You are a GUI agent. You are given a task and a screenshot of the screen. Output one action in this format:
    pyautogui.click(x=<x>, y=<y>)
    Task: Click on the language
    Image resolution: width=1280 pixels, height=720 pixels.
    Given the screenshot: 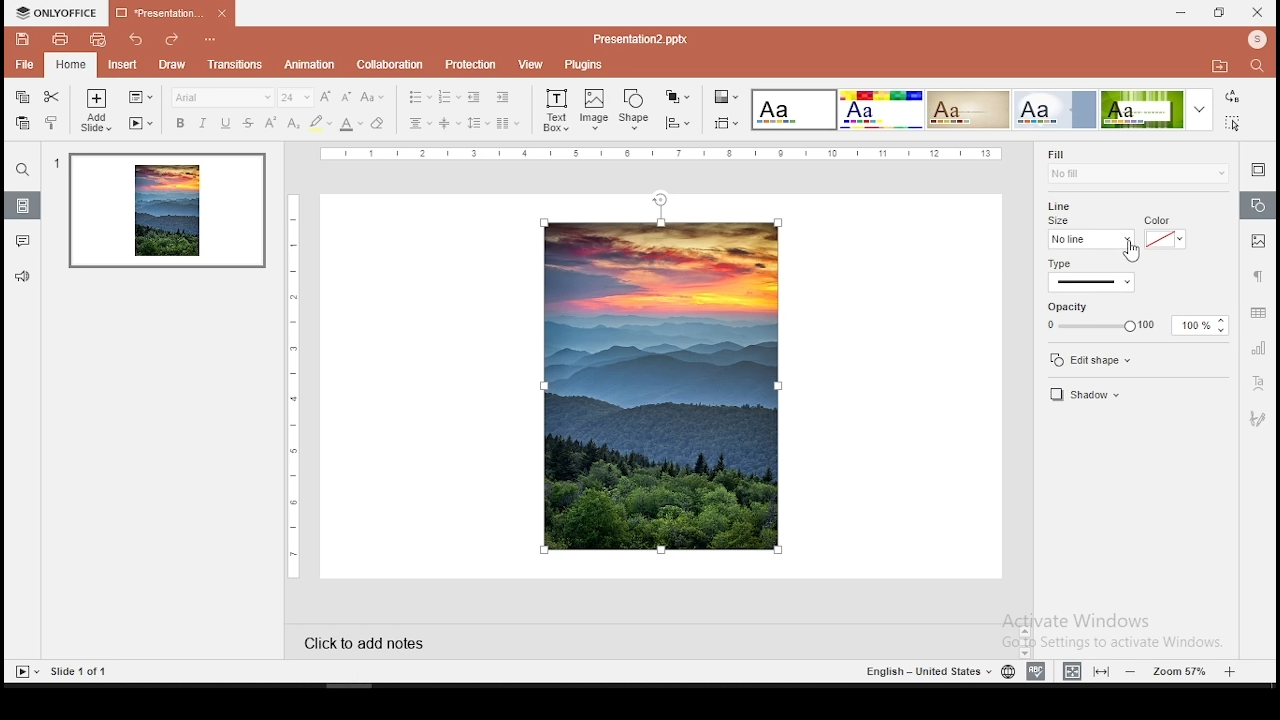 What is the action you would take?
    pyautogui.click(x=1007, y=671)
    